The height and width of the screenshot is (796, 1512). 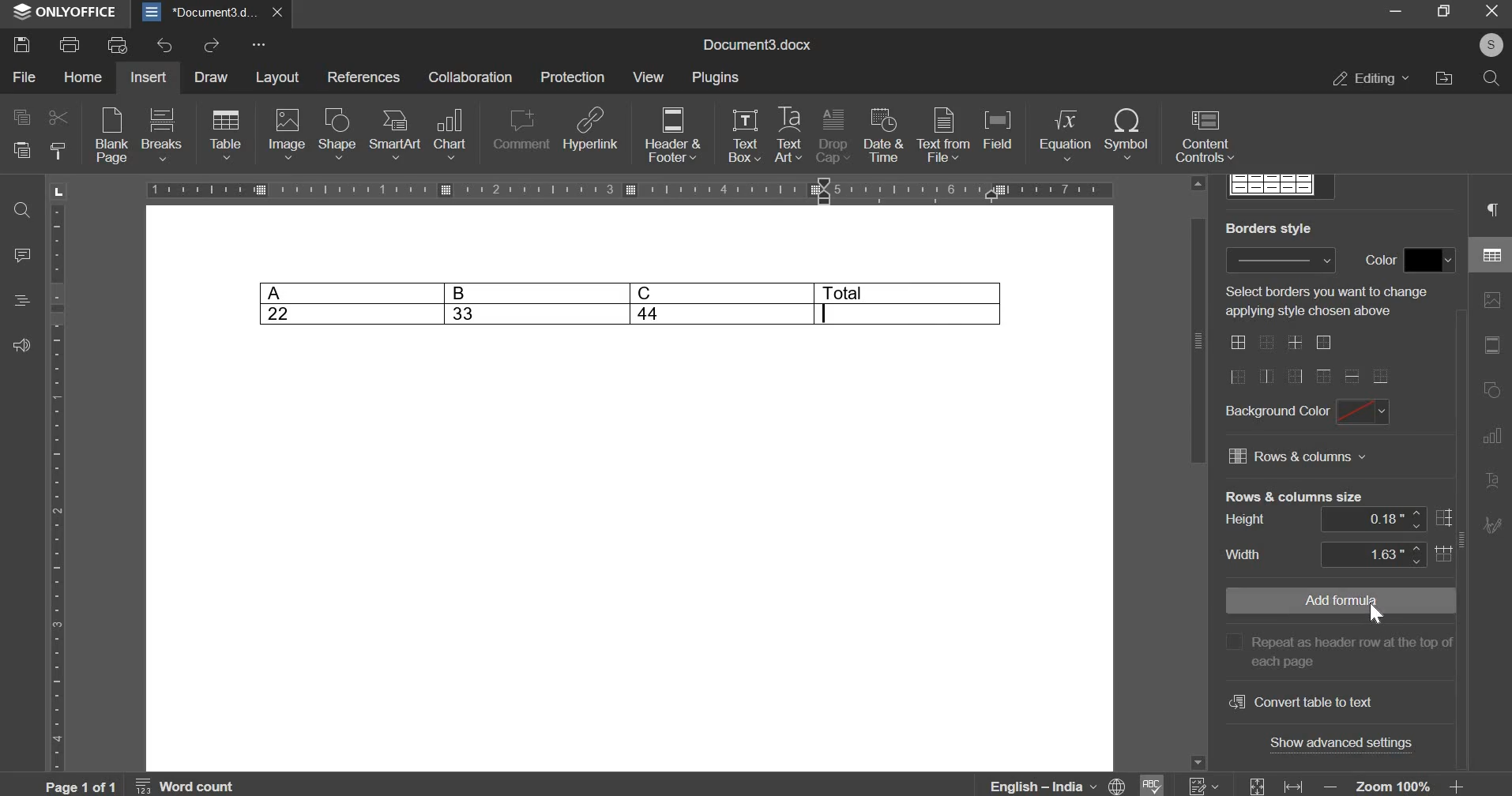 I want to click on breaks, so click(x=161, y=133).